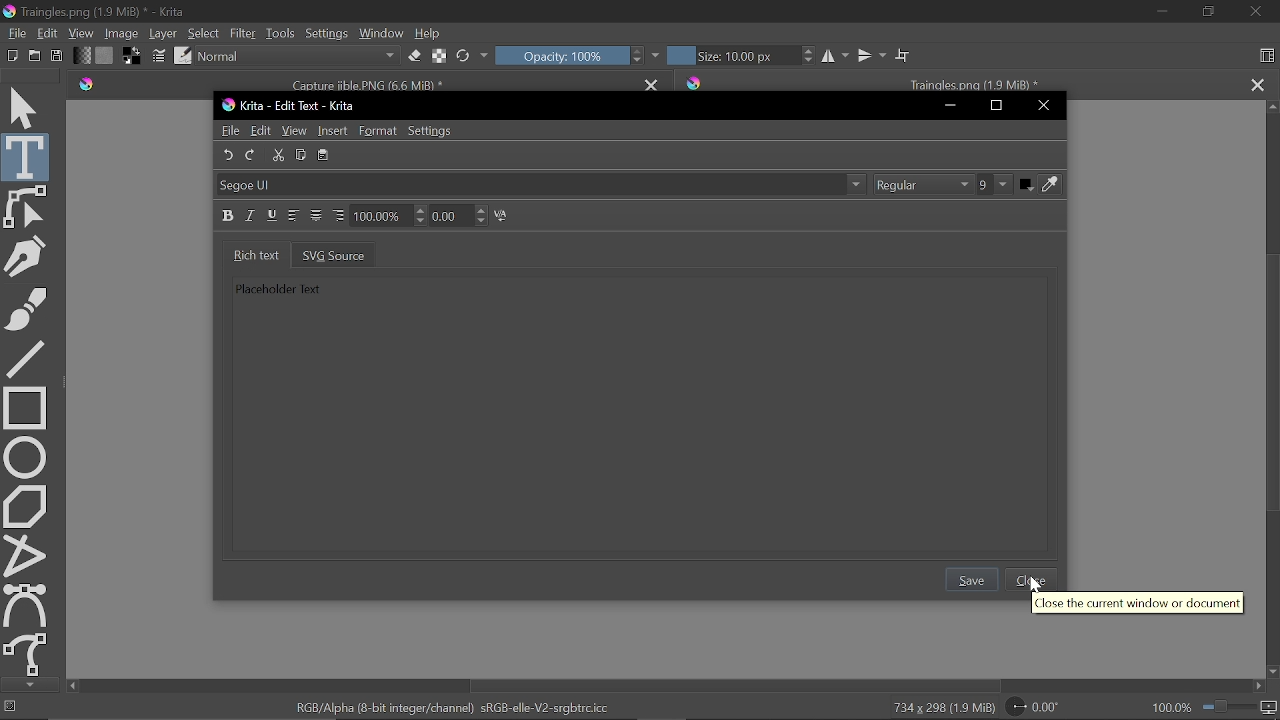  I want to click on Close window, so click(1254, 12).